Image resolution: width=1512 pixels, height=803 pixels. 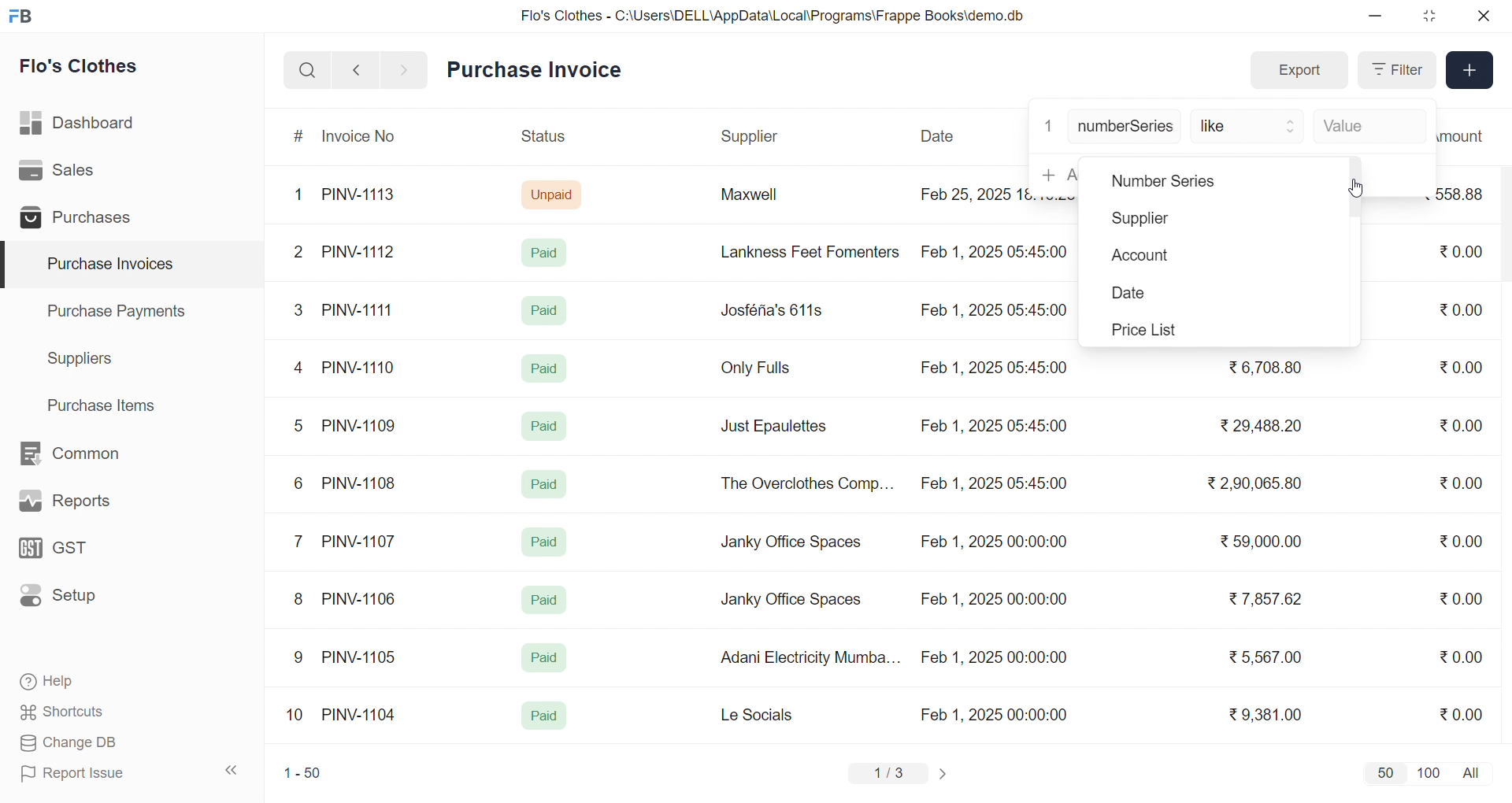 I want to click on Purchase Invoice, so click(x=539, y=70).